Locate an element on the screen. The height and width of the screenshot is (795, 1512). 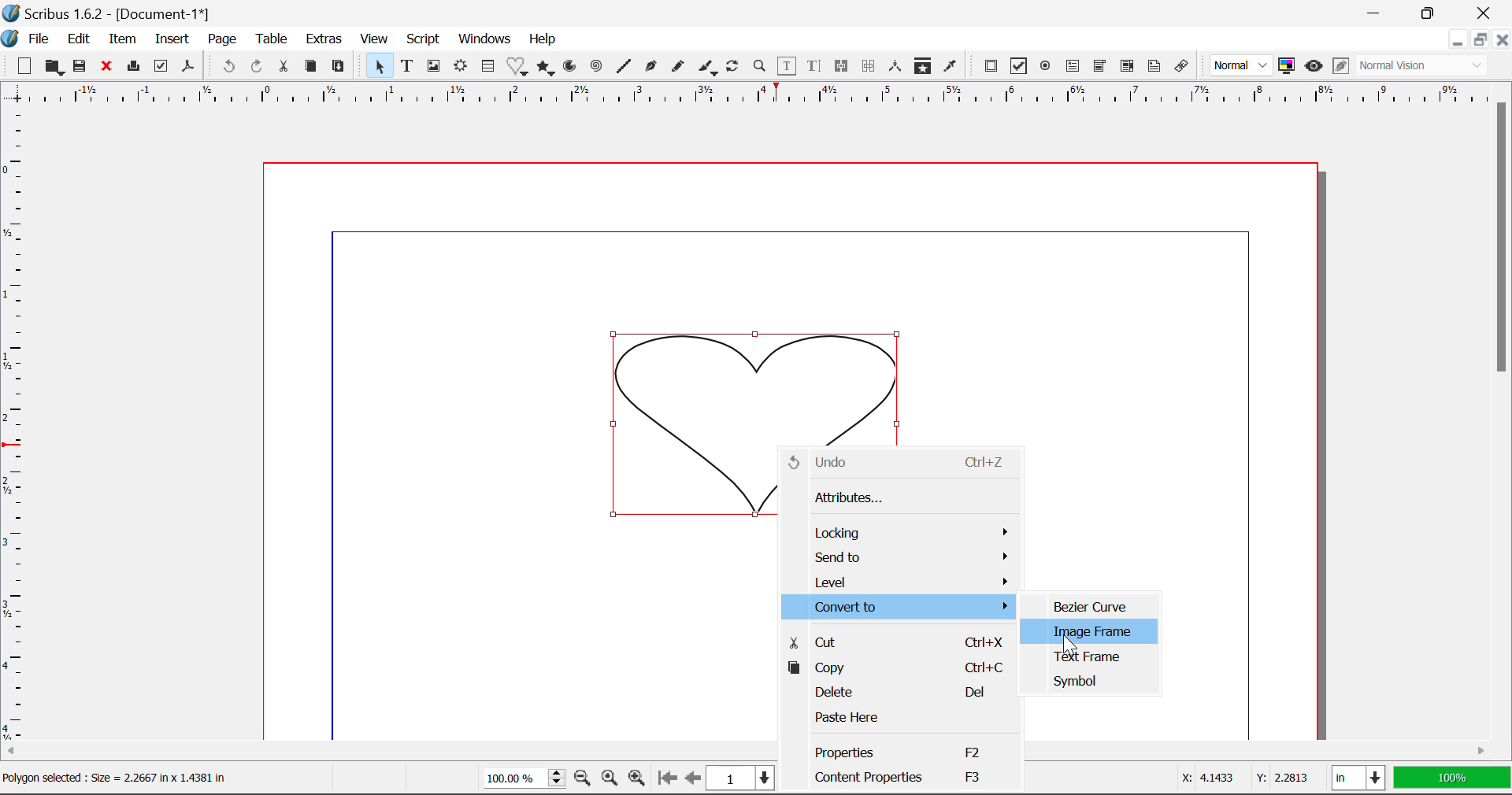
Copy is located at coordinates (898, 668).